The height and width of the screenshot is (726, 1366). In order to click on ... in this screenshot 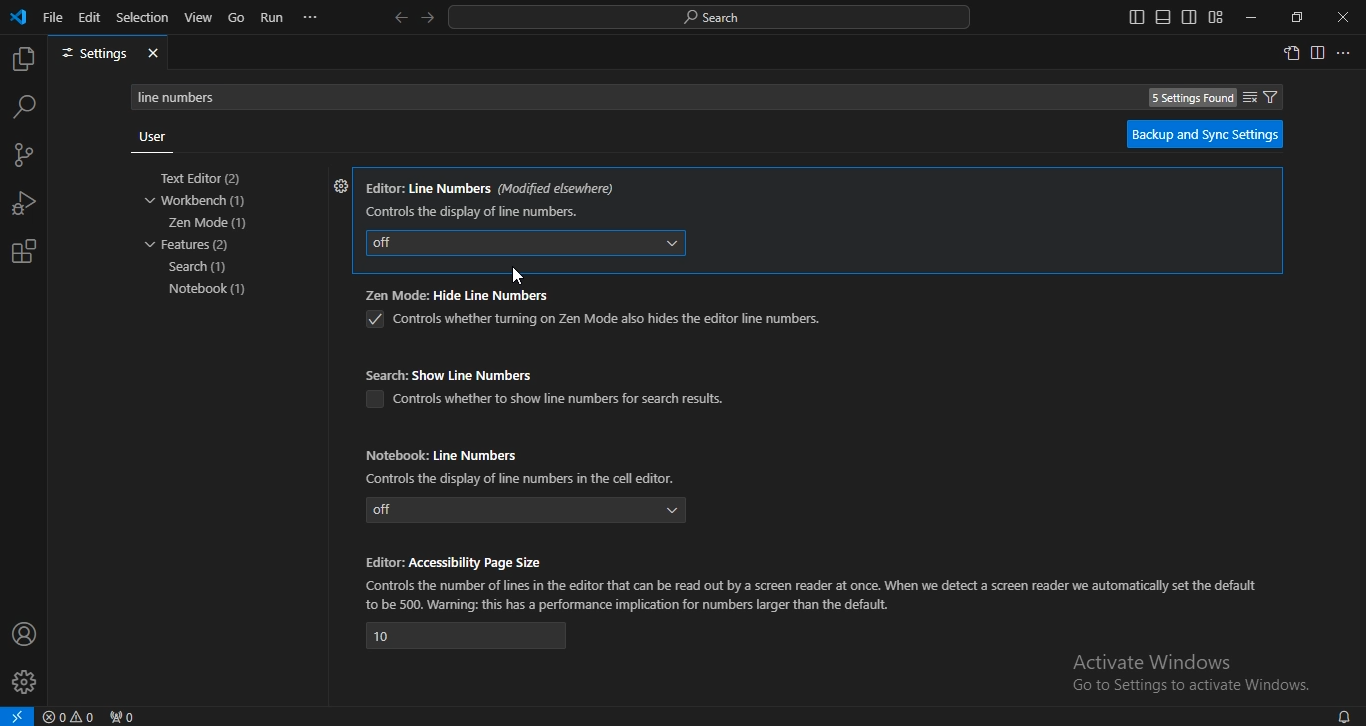, I will do `click(311, 17)`.